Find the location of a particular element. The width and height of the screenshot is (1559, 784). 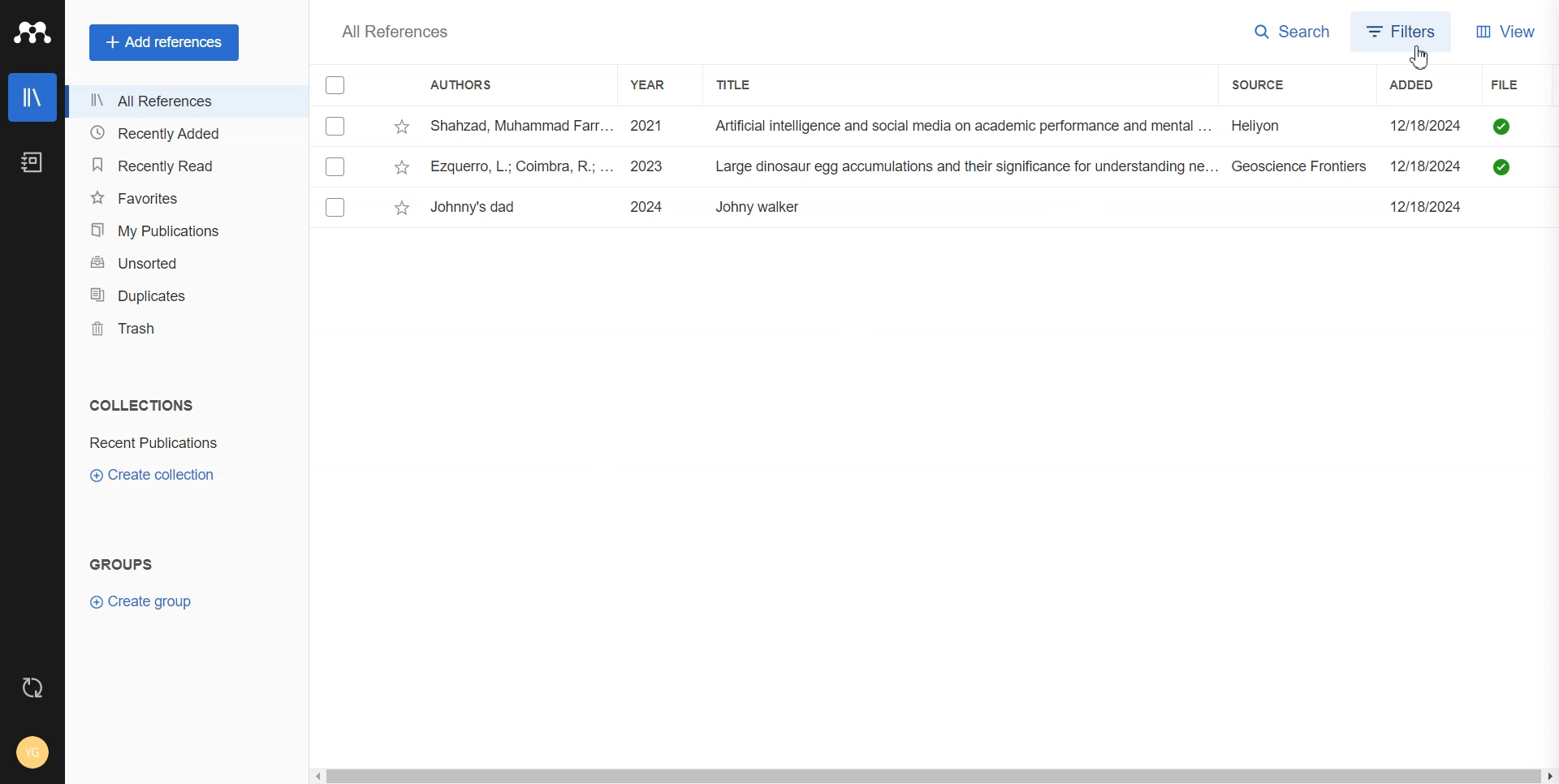

Auto Sync is located at coordinates (33, 687).